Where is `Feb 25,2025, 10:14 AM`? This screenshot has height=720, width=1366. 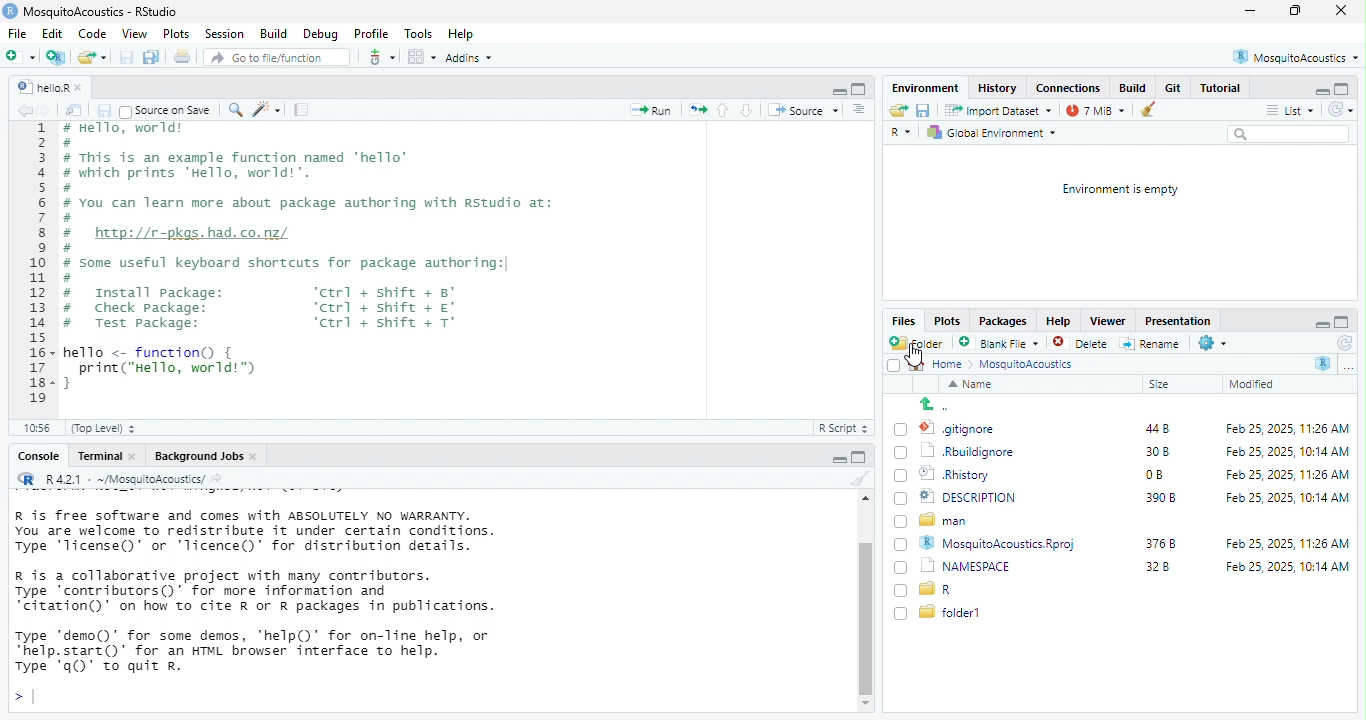 Feb 25,2025, 10:14 AM is located at coordinates (1289, 570).